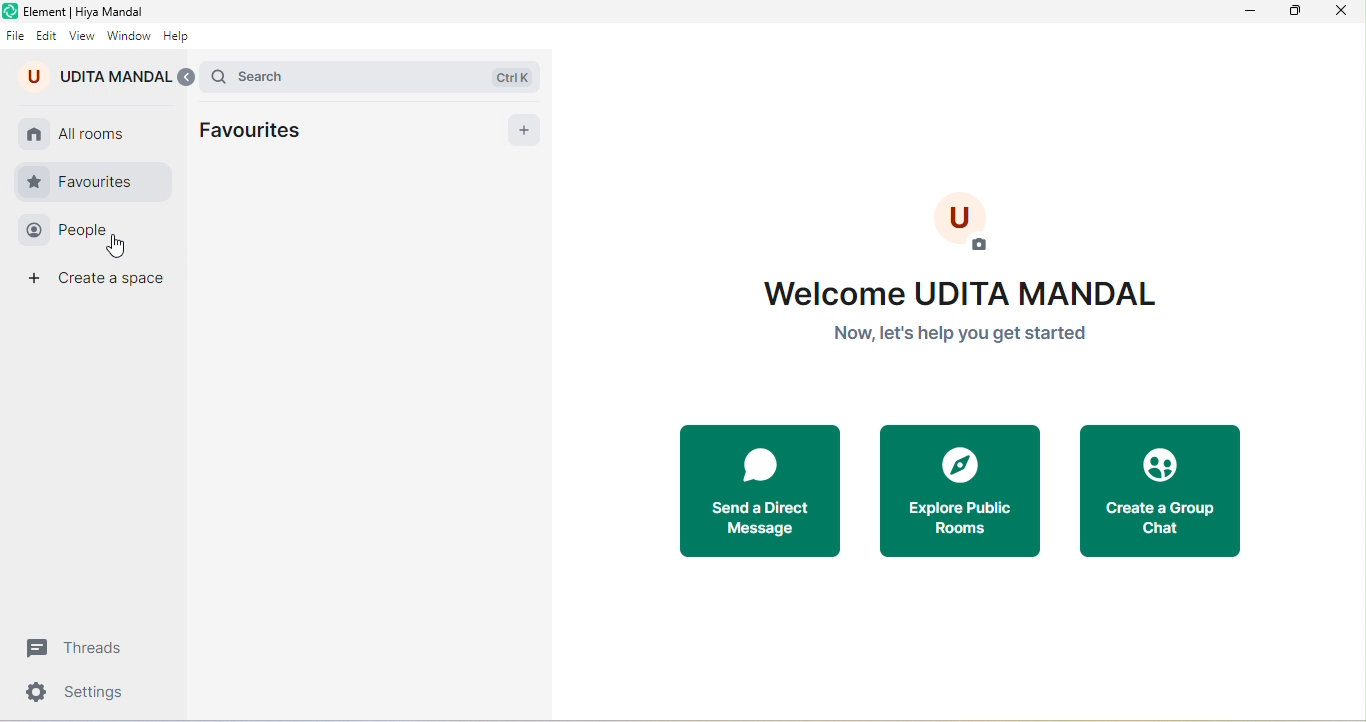 The width and height of the screenshot is (1366, 722). What do you see at coordinates (15, 31) in the screenshot?
I see `file` at bounding box center [15, 31].